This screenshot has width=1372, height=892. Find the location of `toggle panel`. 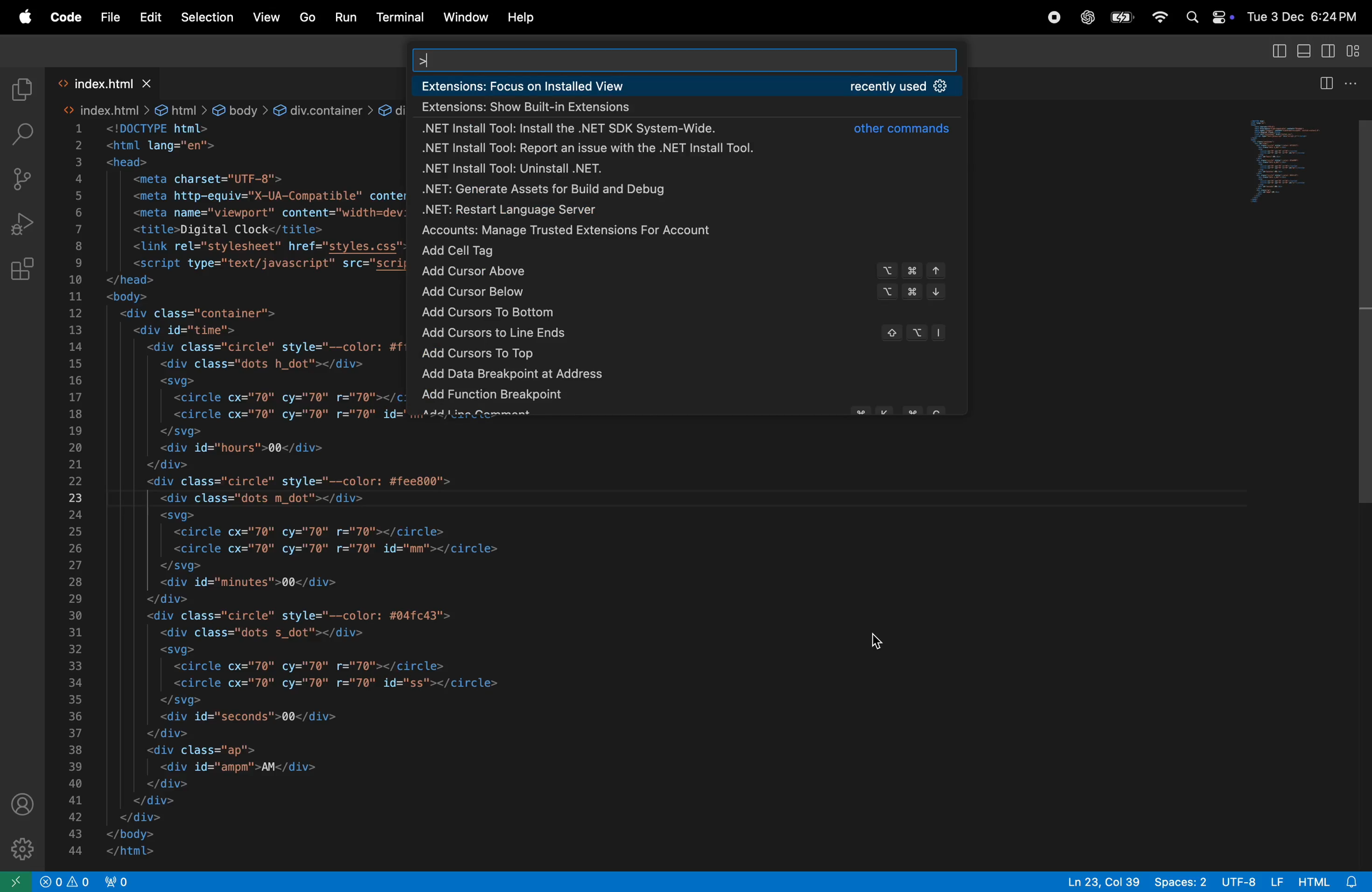

toggle panel is located at coordinates (1305, 51).